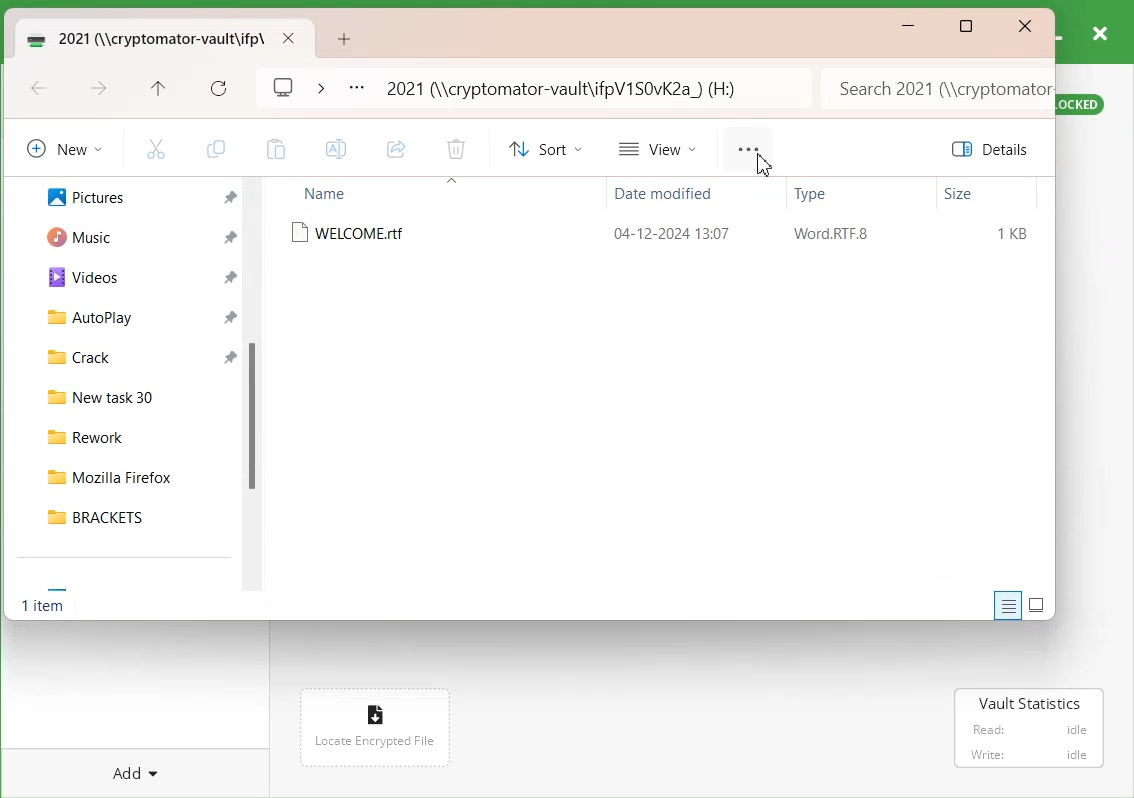  What do you see at coordinates (77, 195) in the screenshot?
I see `Pictures` at bounding box center [77, 195].